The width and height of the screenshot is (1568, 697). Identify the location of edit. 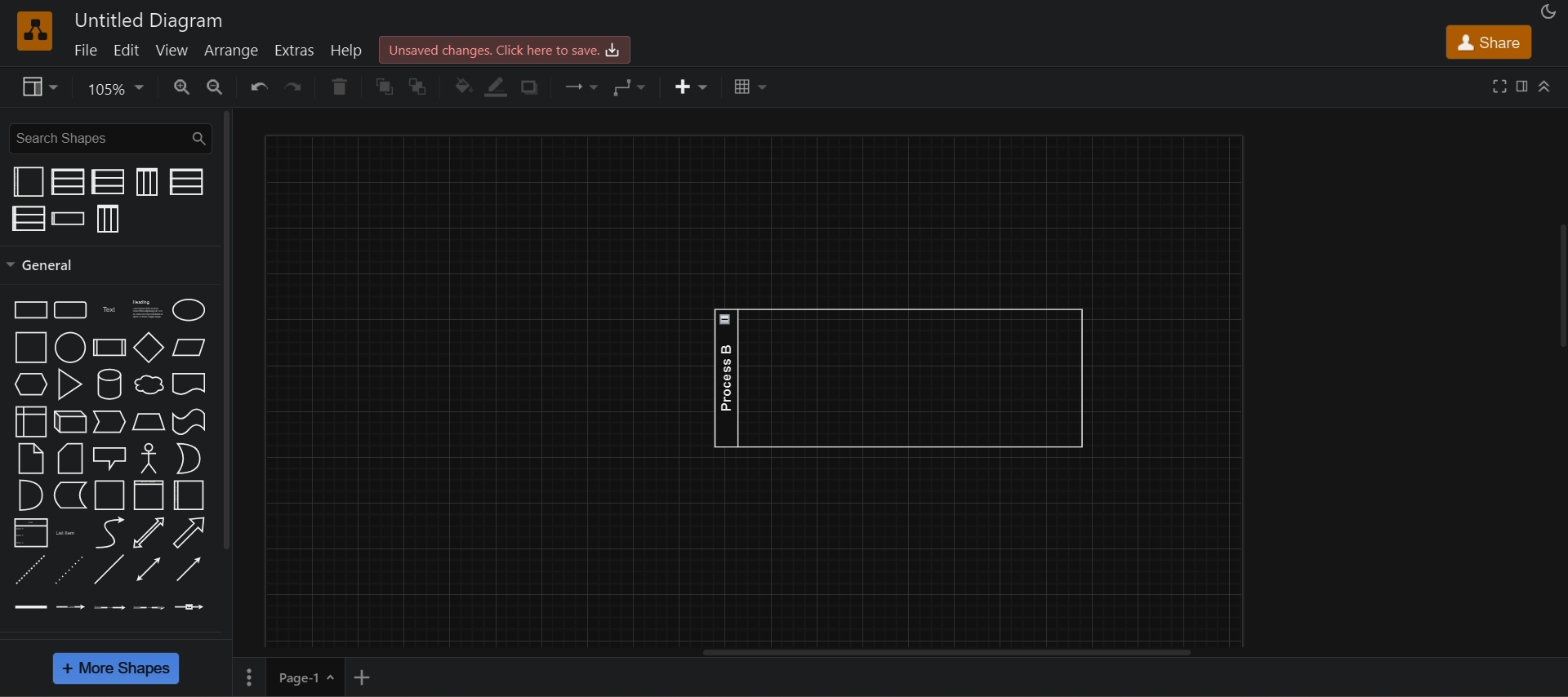
(125, 50).